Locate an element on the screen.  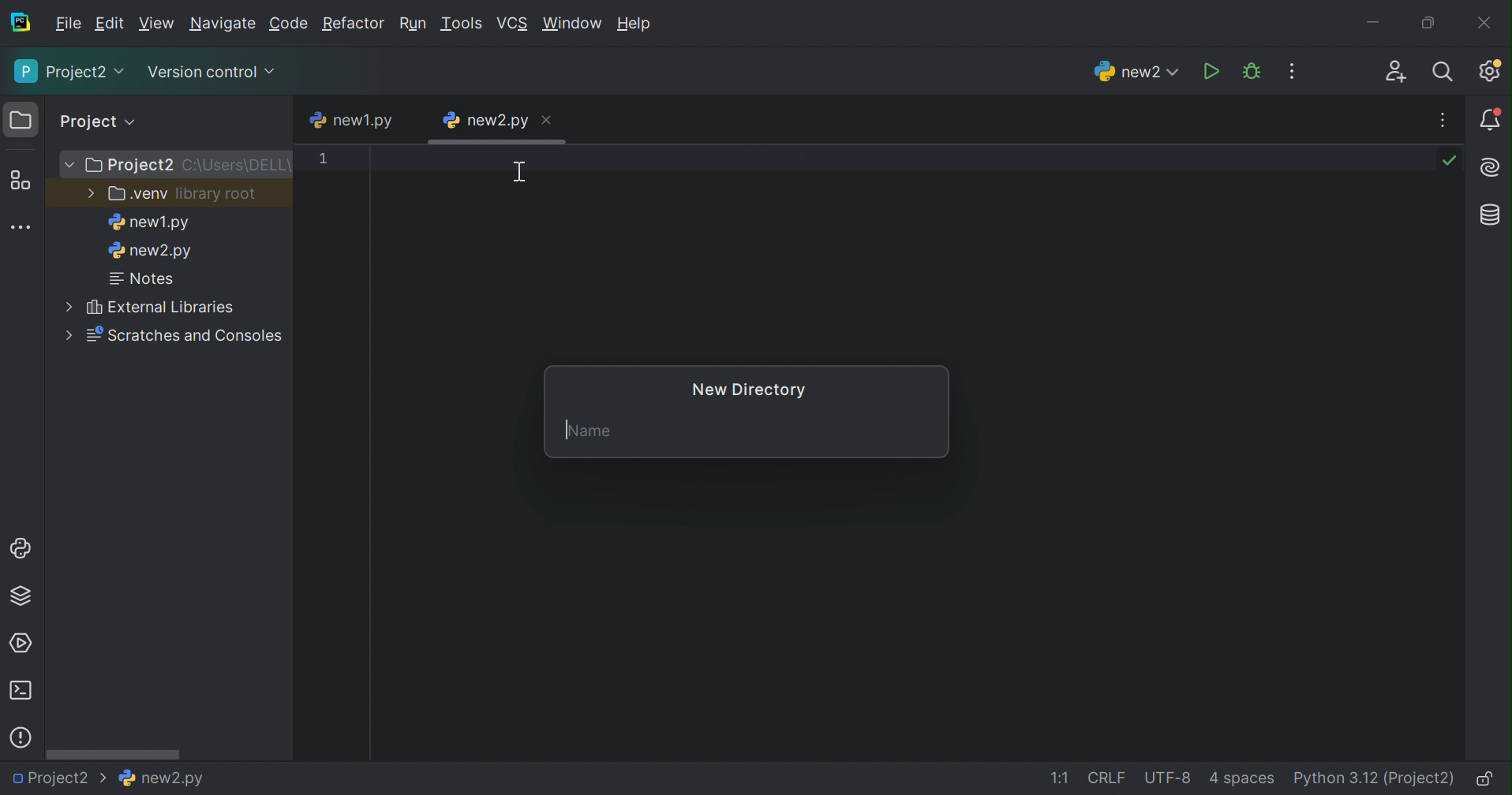
Python Console is located at coordinates (20, 547).